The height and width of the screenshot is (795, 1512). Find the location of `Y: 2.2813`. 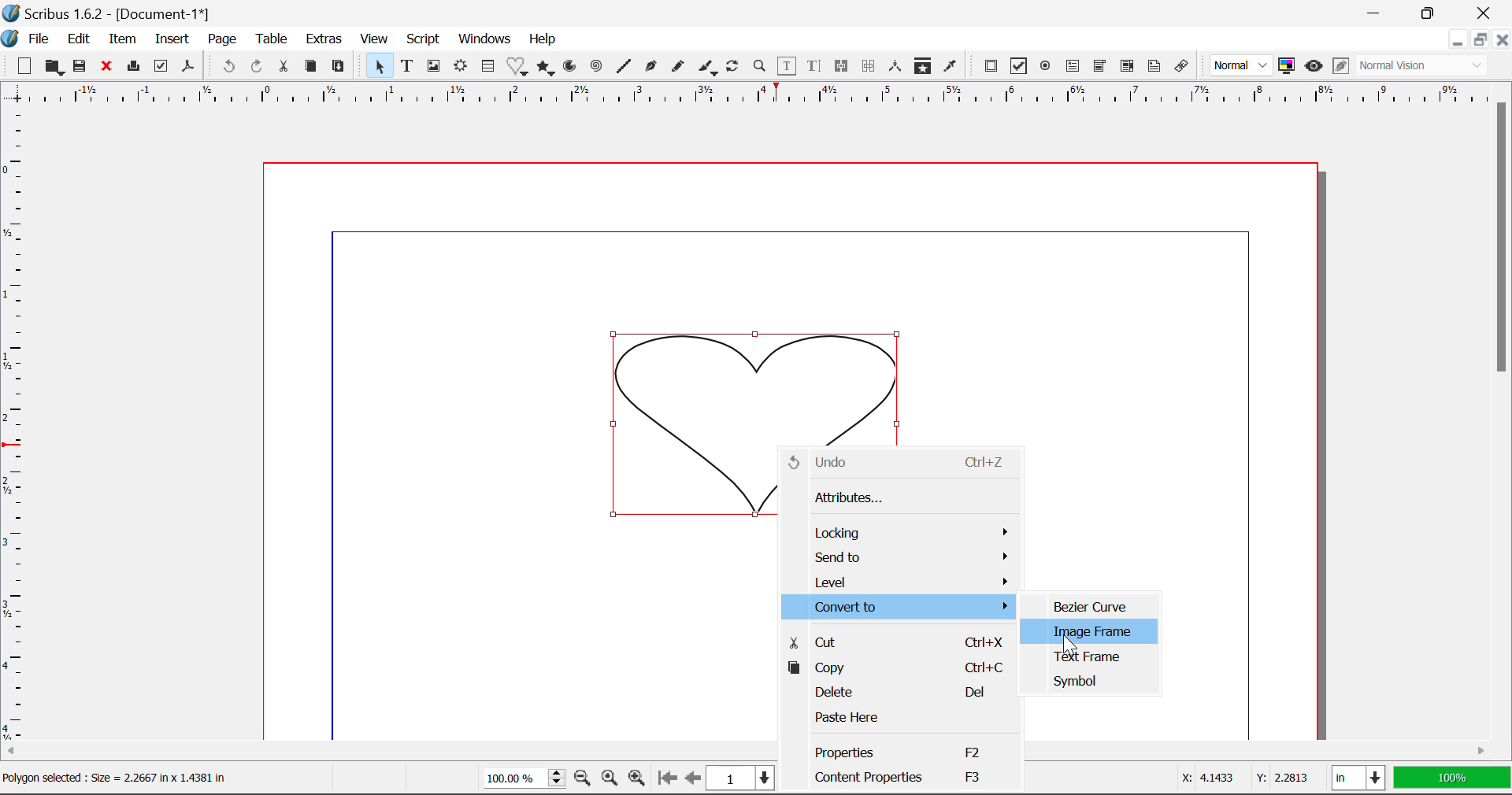

Y: 2.2813 is located at coordinates (1282, 777).